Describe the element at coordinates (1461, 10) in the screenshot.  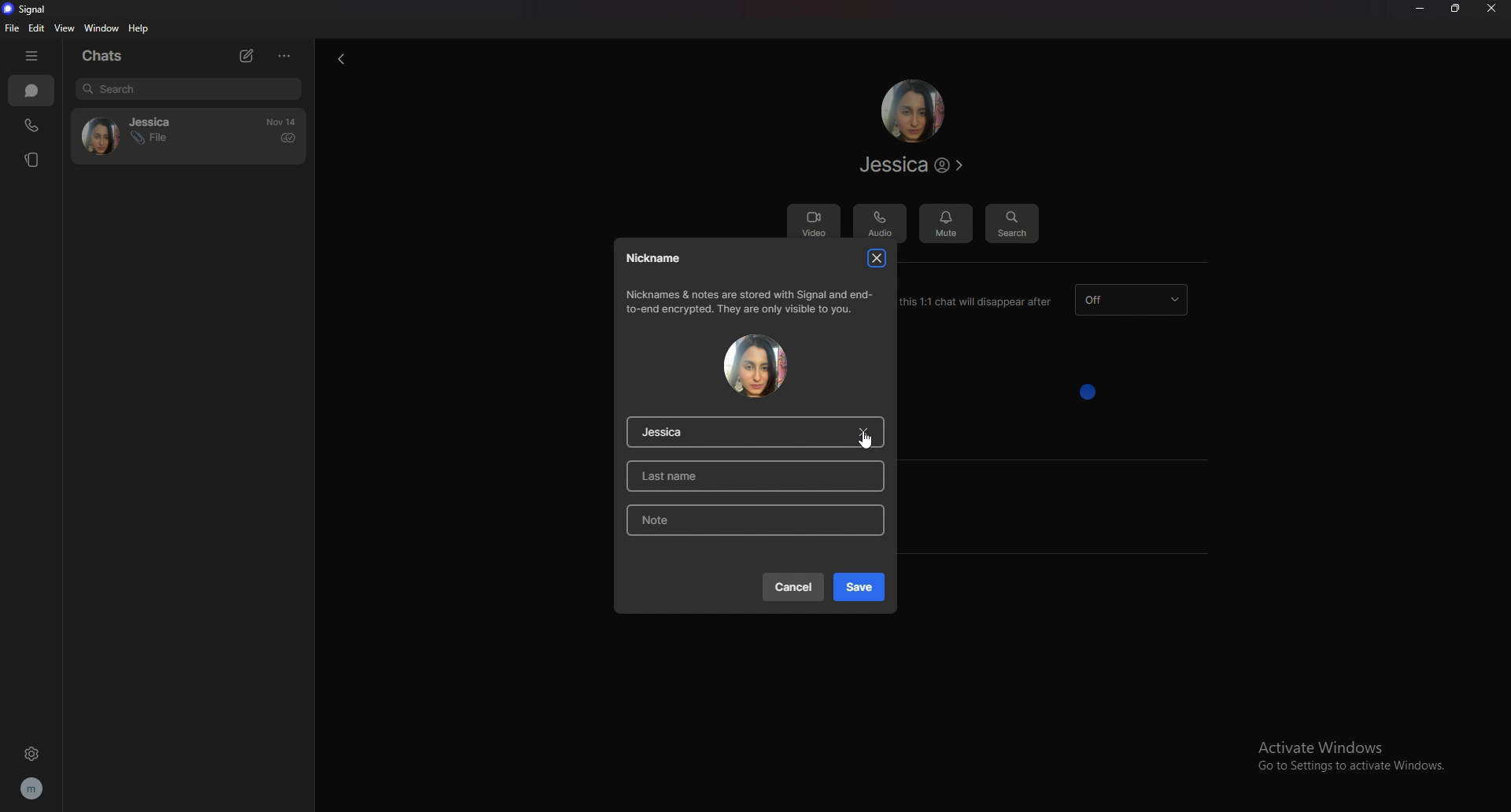
I see `resize` at that location.